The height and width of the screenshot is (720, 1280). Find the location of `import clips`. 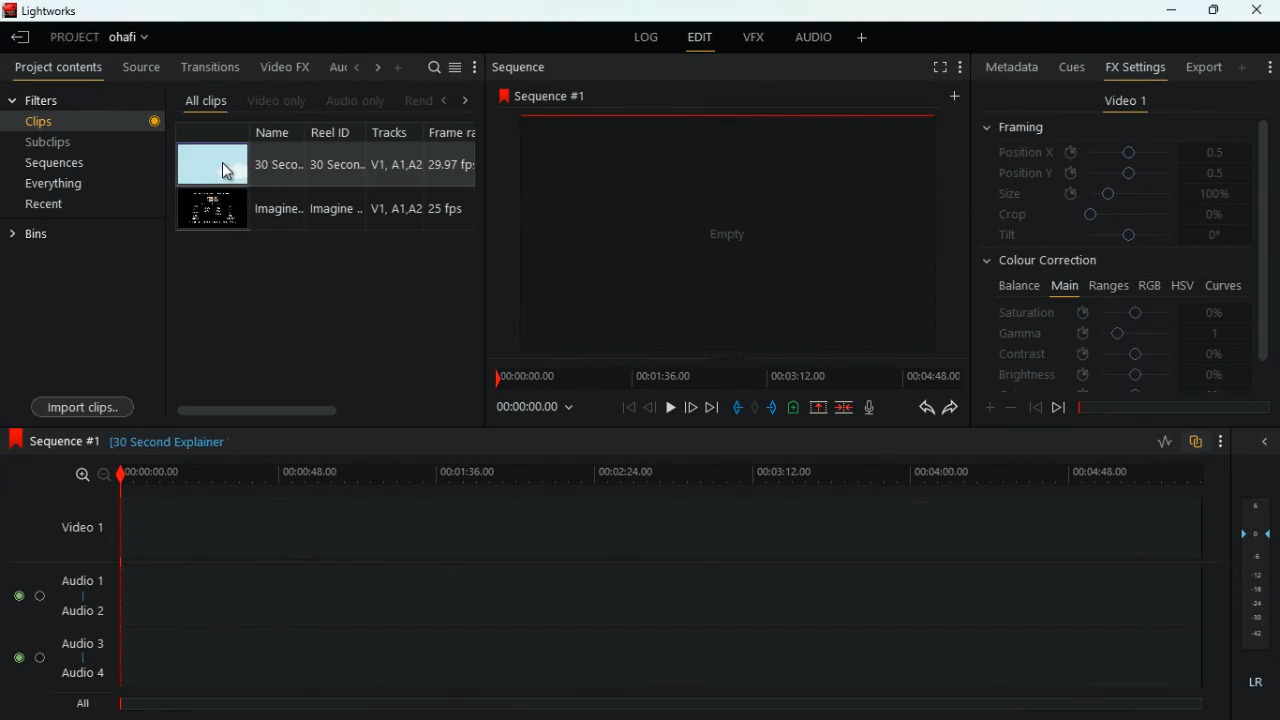

import clips is located at coordinates (82, 407).